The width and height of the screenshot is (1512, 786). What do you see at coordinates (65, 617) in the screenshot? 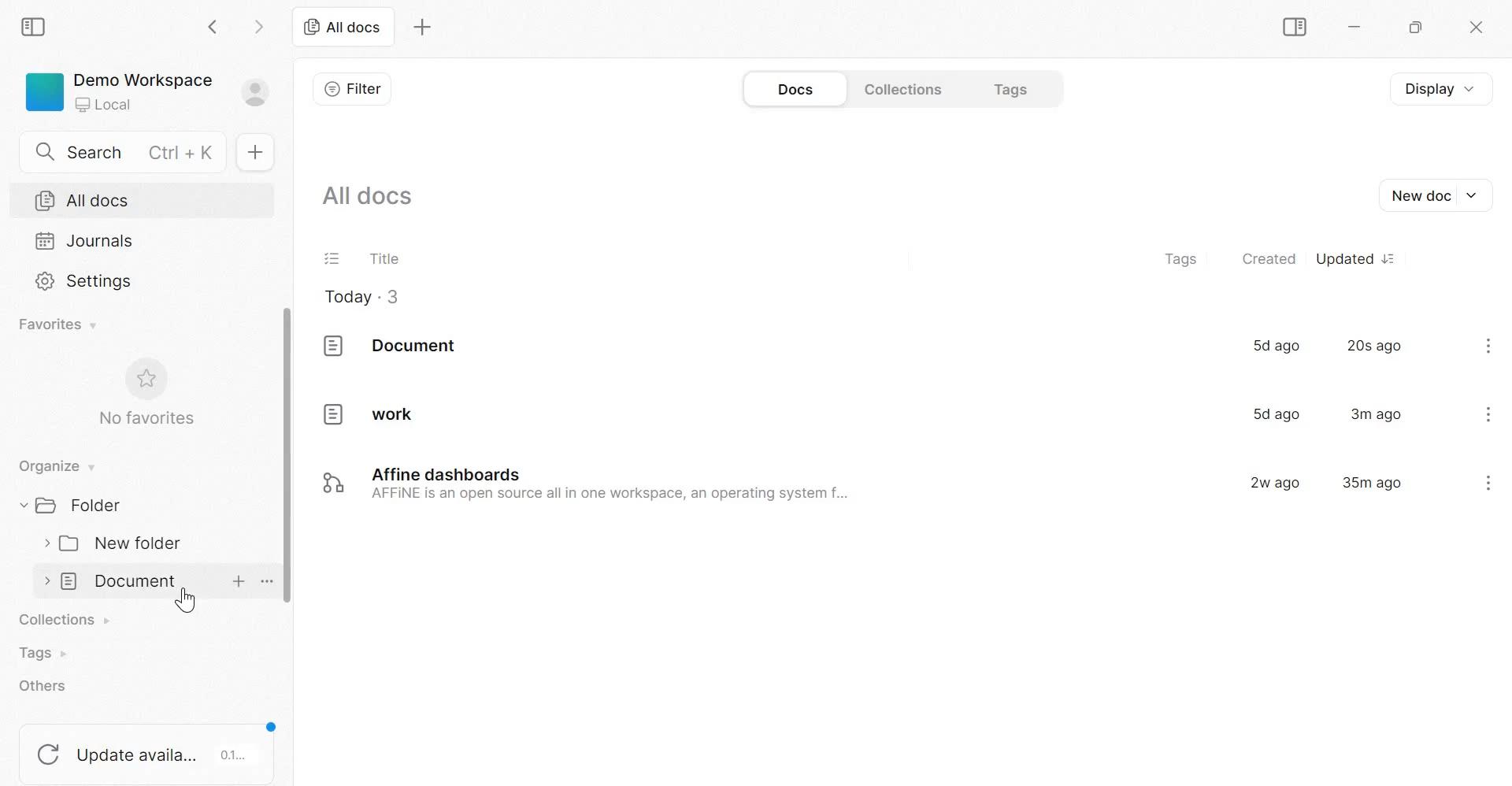
I see `collections` at bounding box center [65, 617].